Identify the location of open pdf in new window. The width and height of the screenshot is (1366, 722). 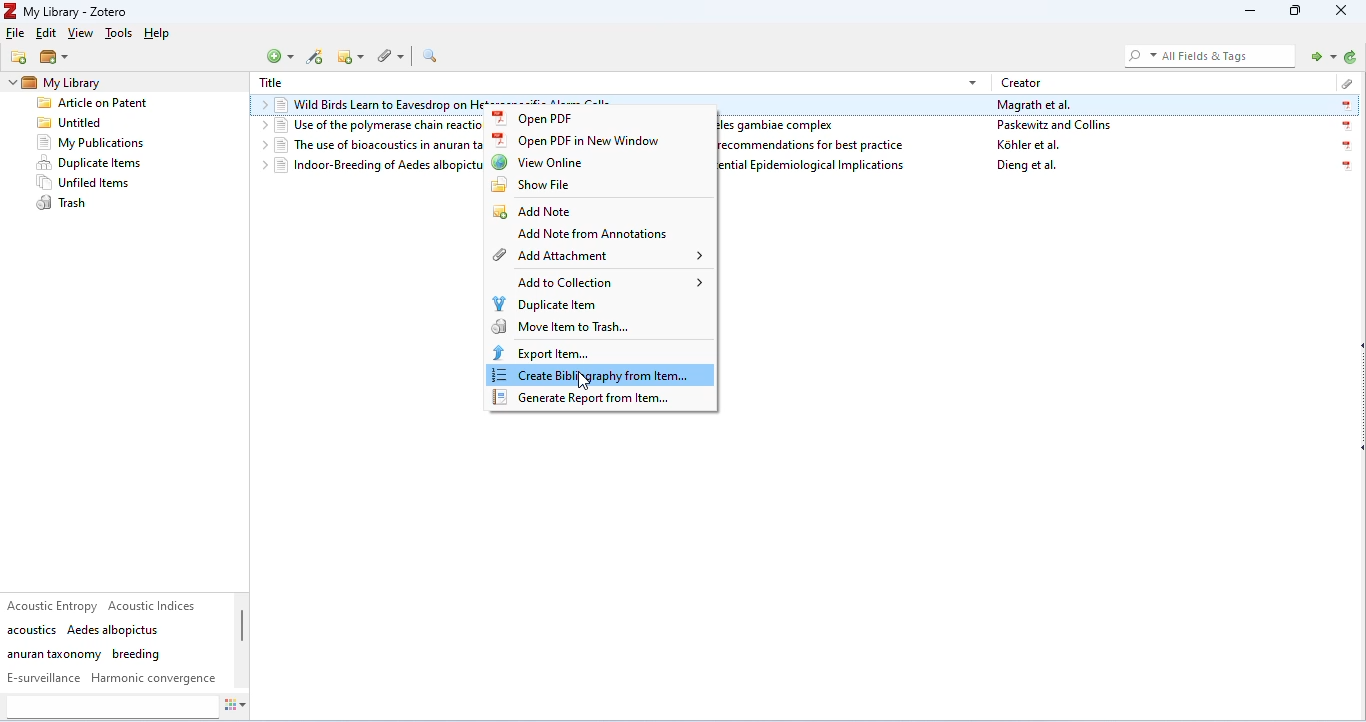
(586, 141).